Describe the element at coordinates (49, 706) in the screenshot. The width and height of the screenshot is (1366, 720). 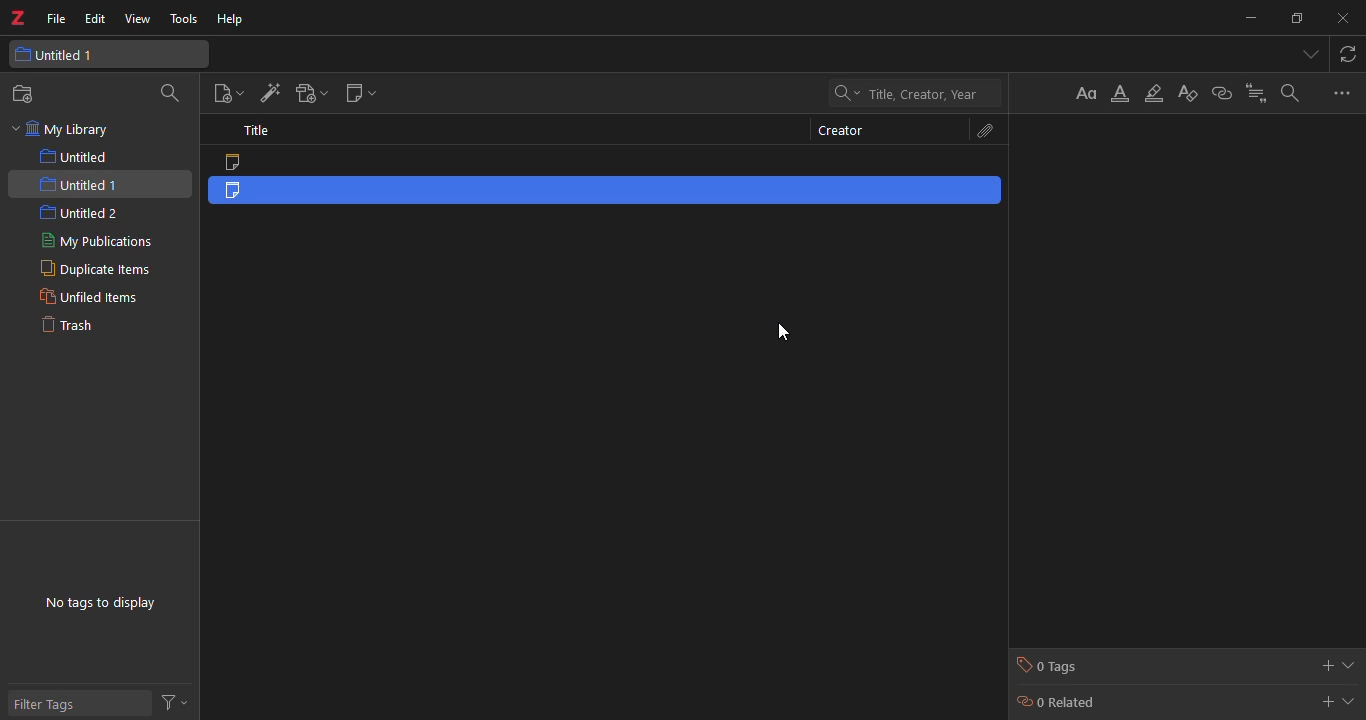
I see `filter tags` at that location.